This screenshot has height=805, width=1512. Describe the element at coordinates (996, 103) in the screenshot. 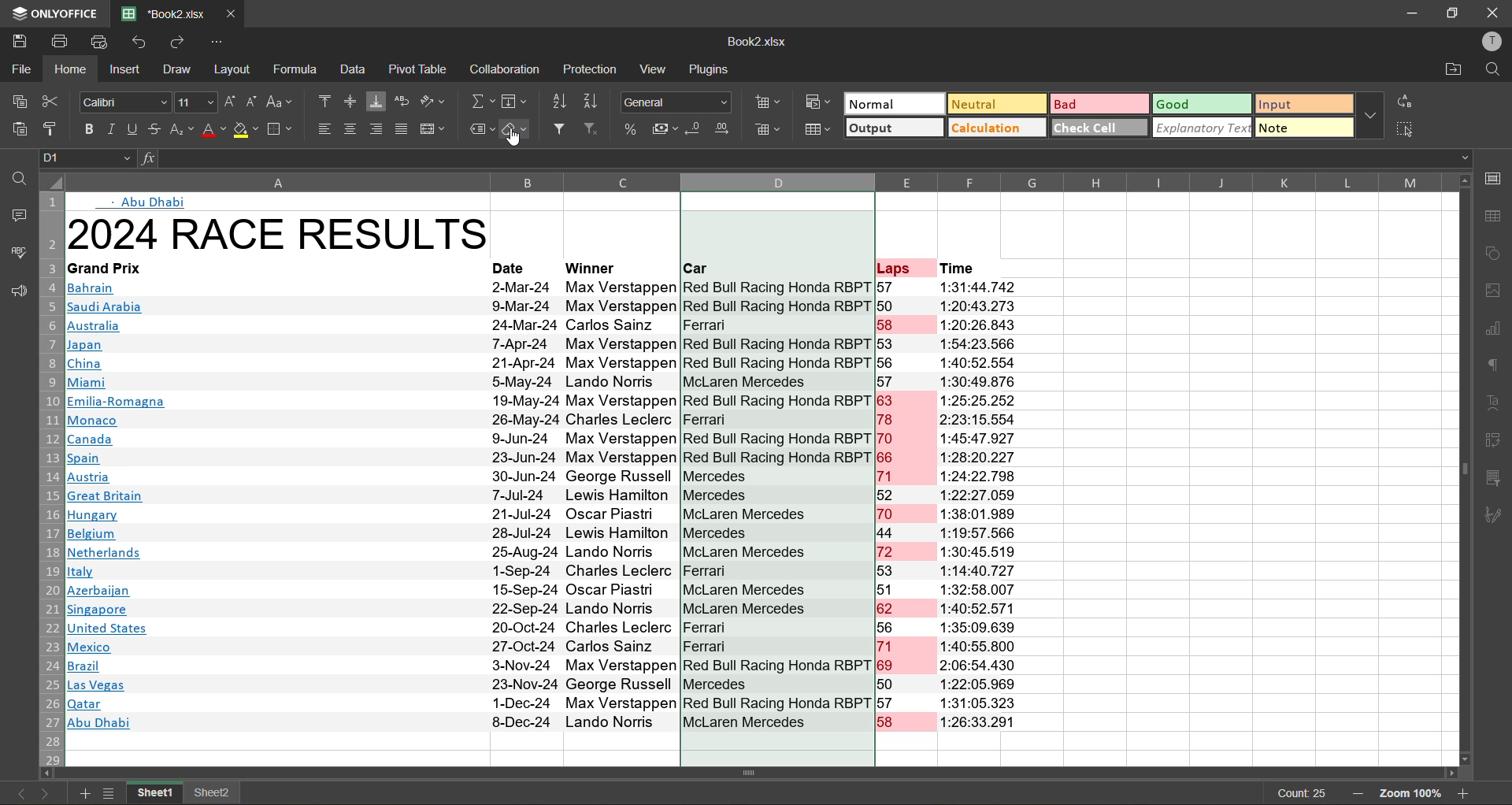

I see `neutral` at that location.